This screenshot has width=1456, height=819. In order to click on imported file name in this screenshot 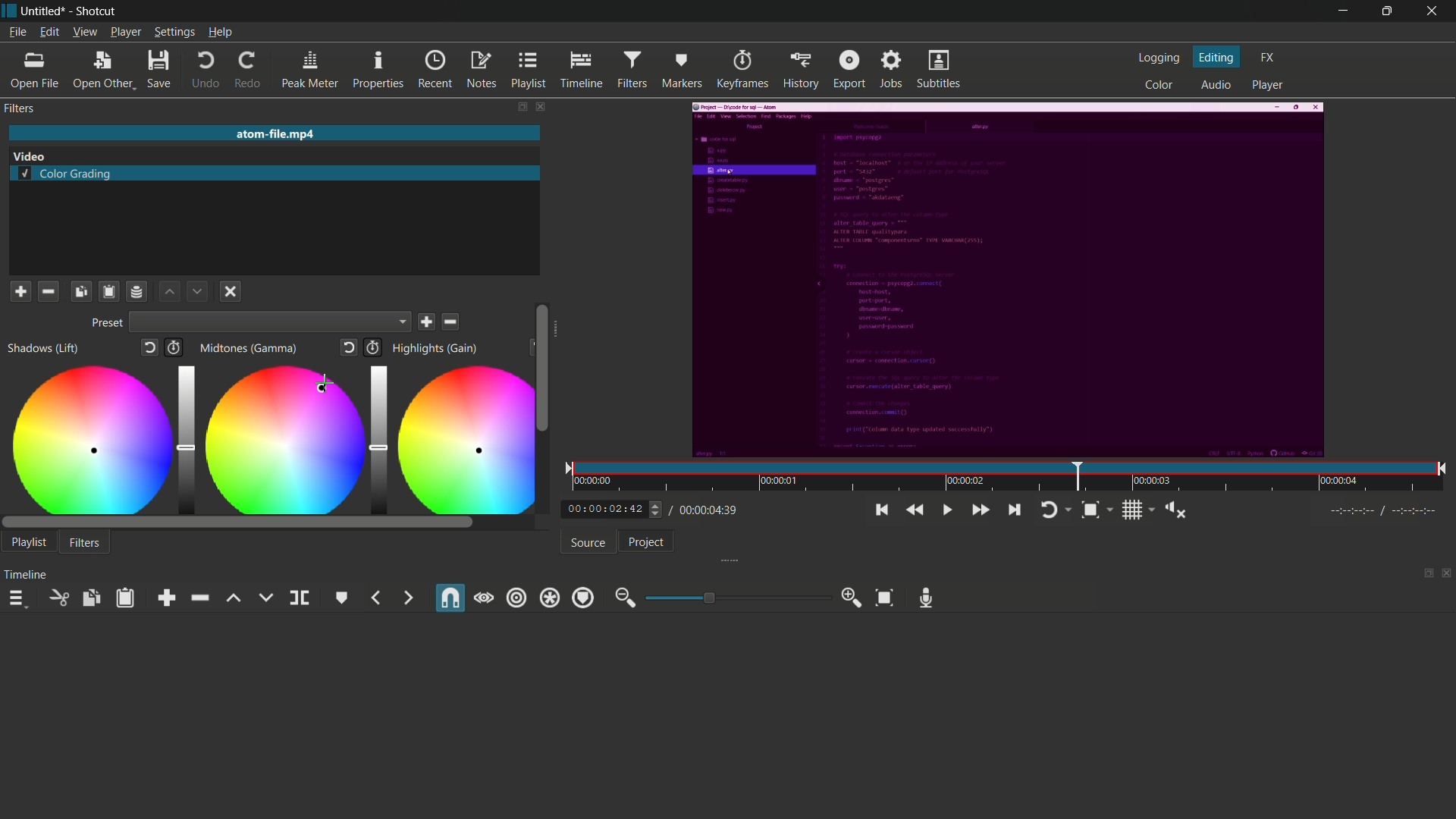, I will do `click(272, 134)`.